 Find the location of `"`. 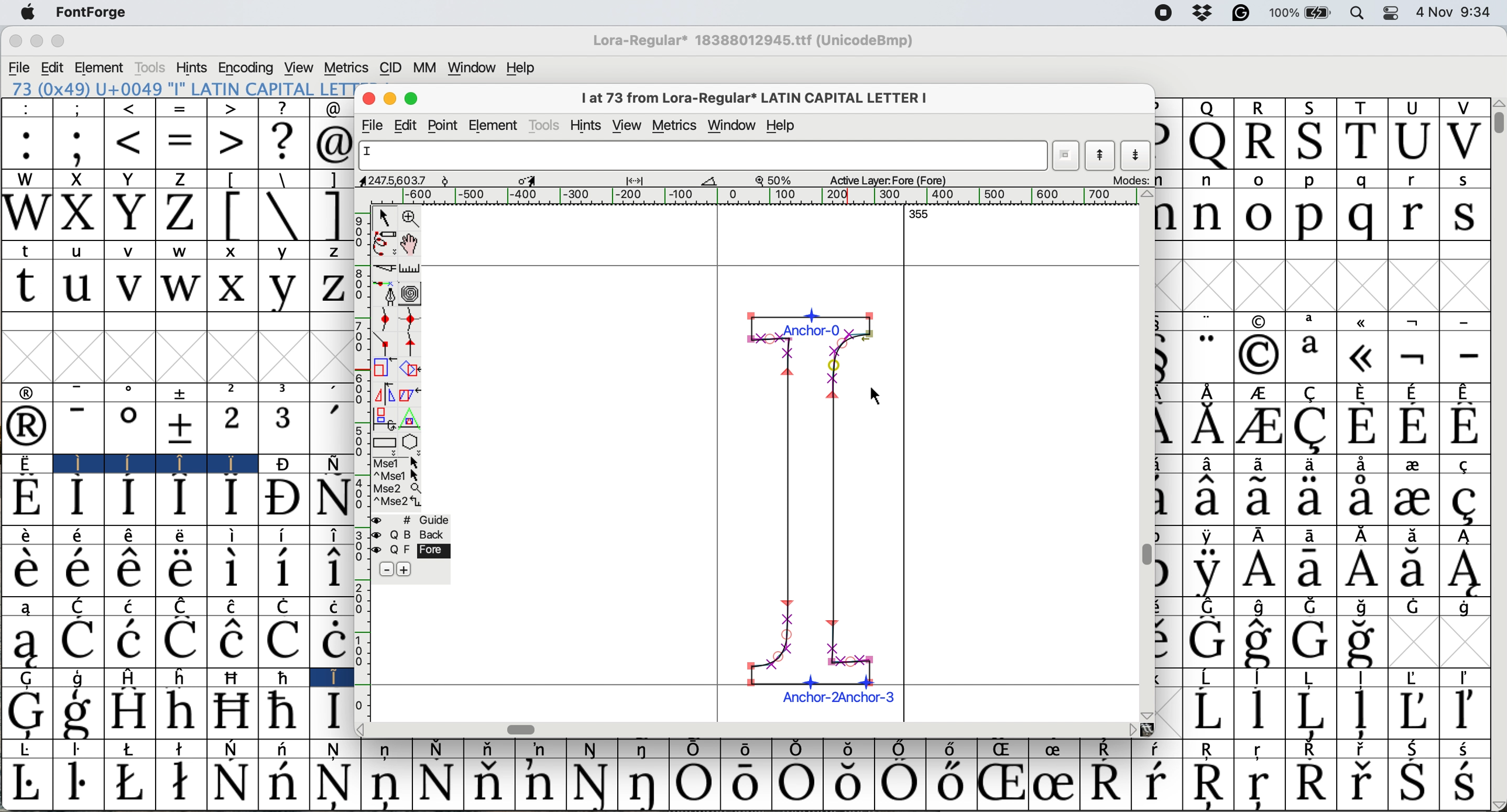

" is located at coordinates (1206, 355).